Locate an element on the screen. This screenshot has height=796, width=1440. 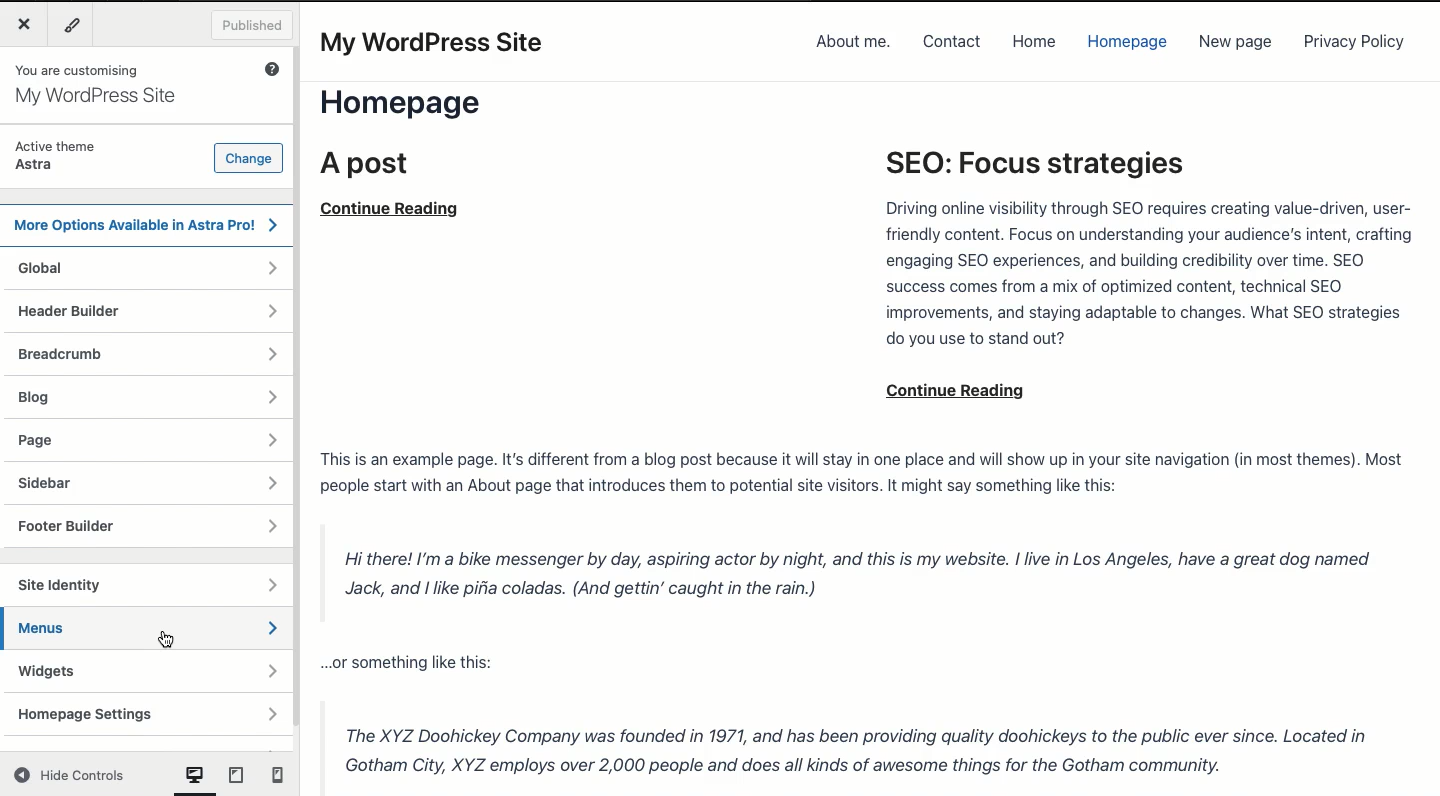
Contact is located at coordinates (951, 43).